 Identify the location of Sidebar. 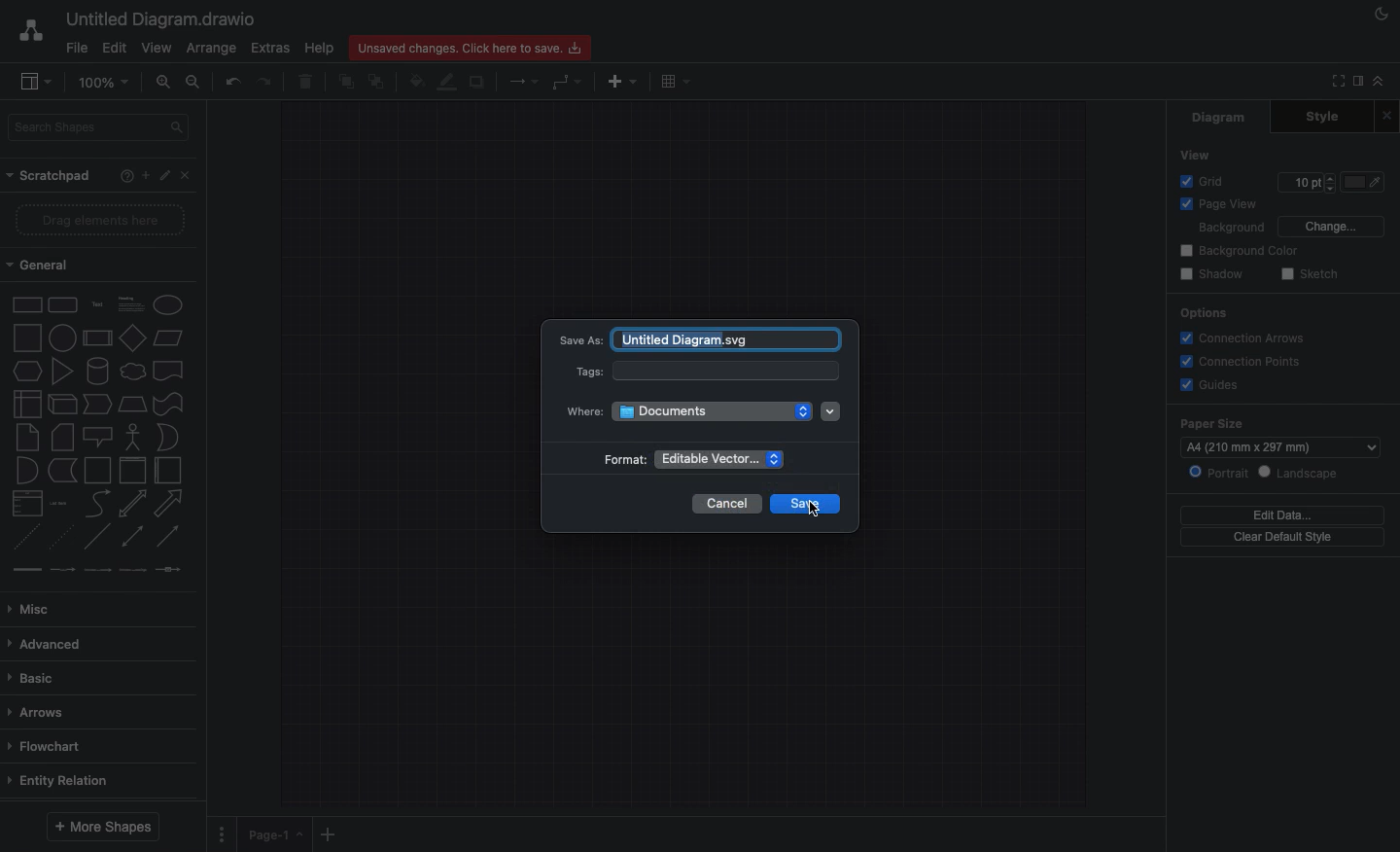
(36, 82).